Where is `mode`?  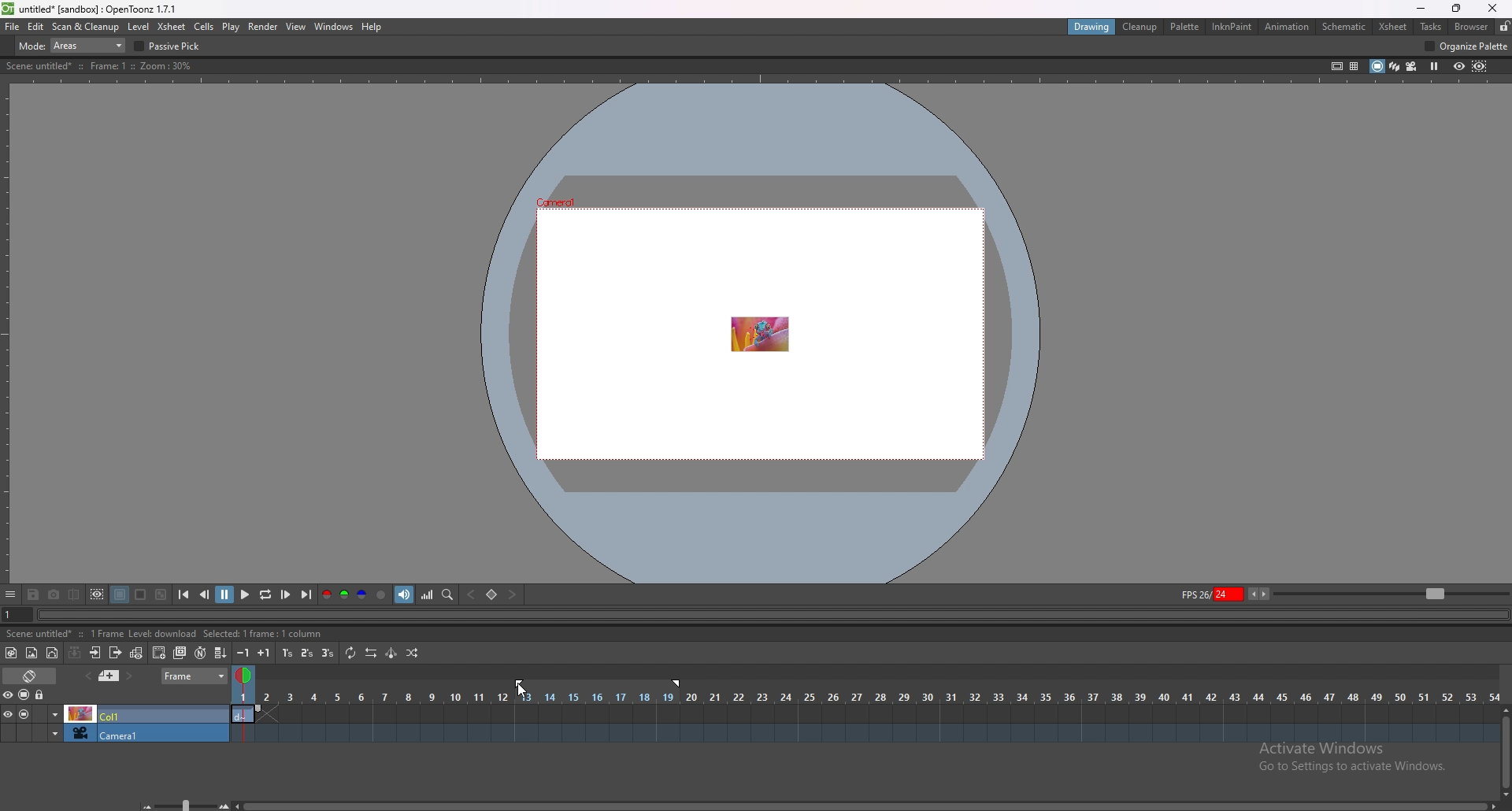
mode is located at coordinates (72, 45).